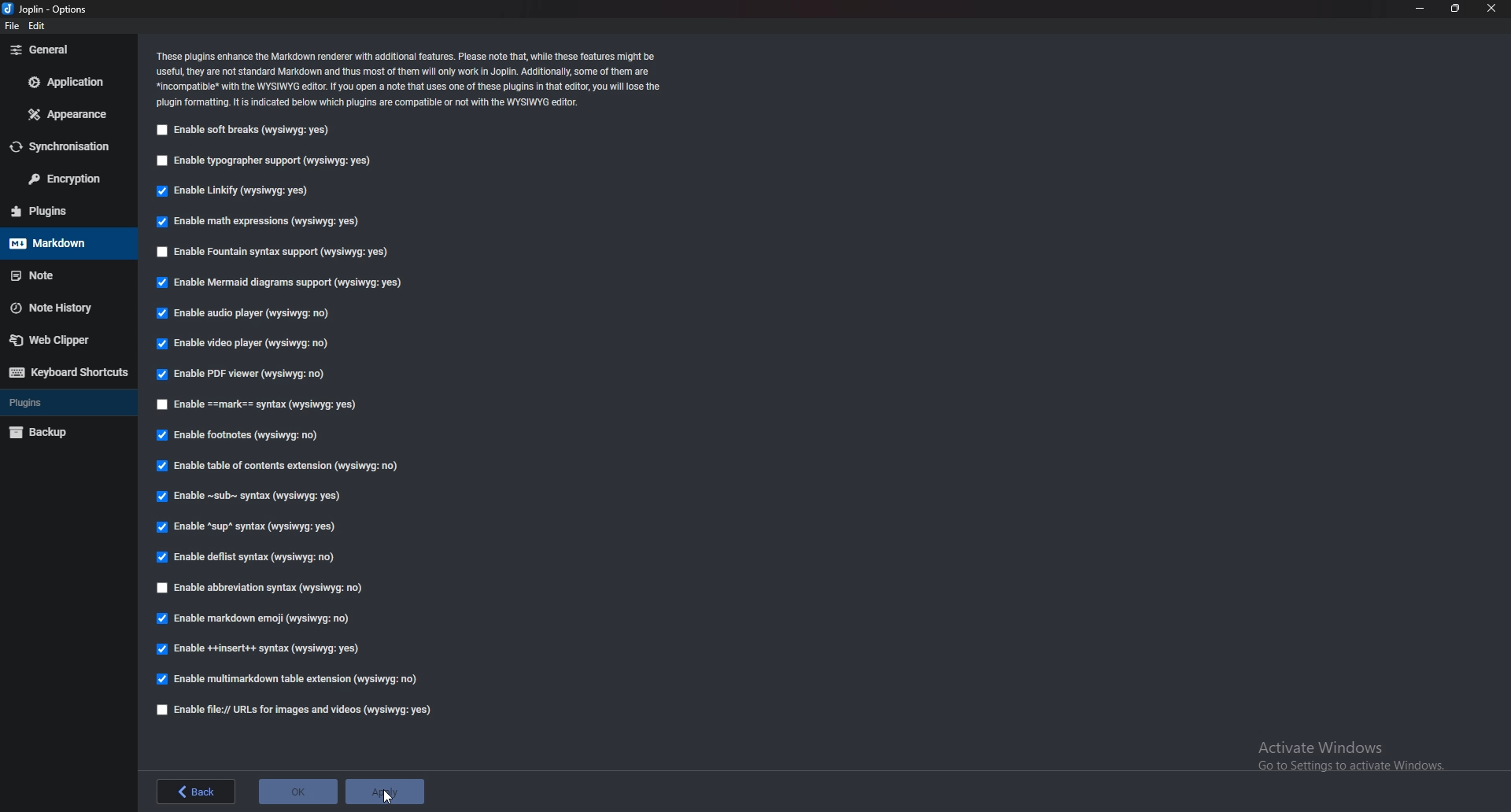  Describe the element at coordinates (295, 711) in the screenshot. I see `enable file urls for images and videos` at that location.